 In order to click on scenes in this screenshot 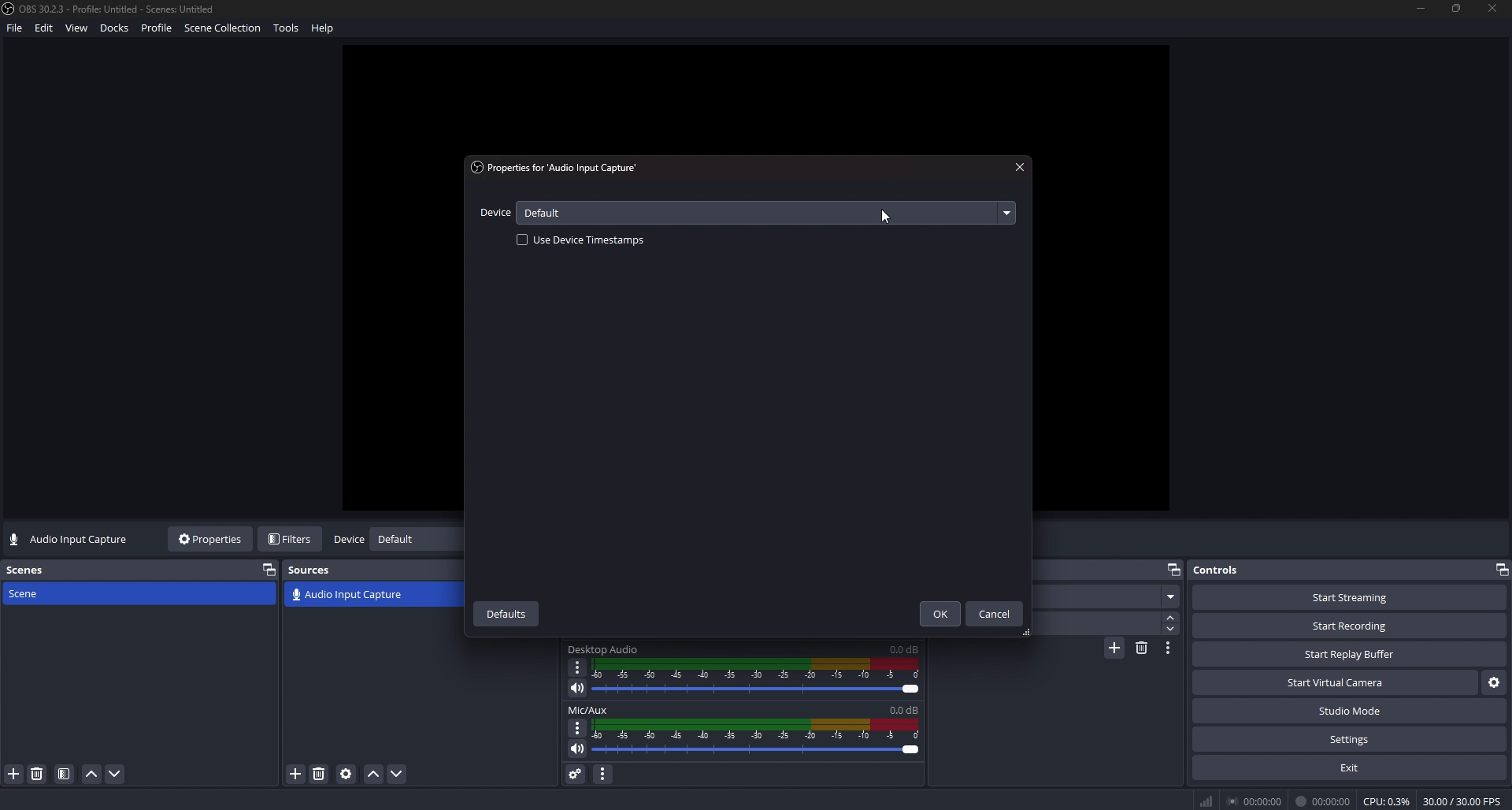, I will do `click(29, 570)`.